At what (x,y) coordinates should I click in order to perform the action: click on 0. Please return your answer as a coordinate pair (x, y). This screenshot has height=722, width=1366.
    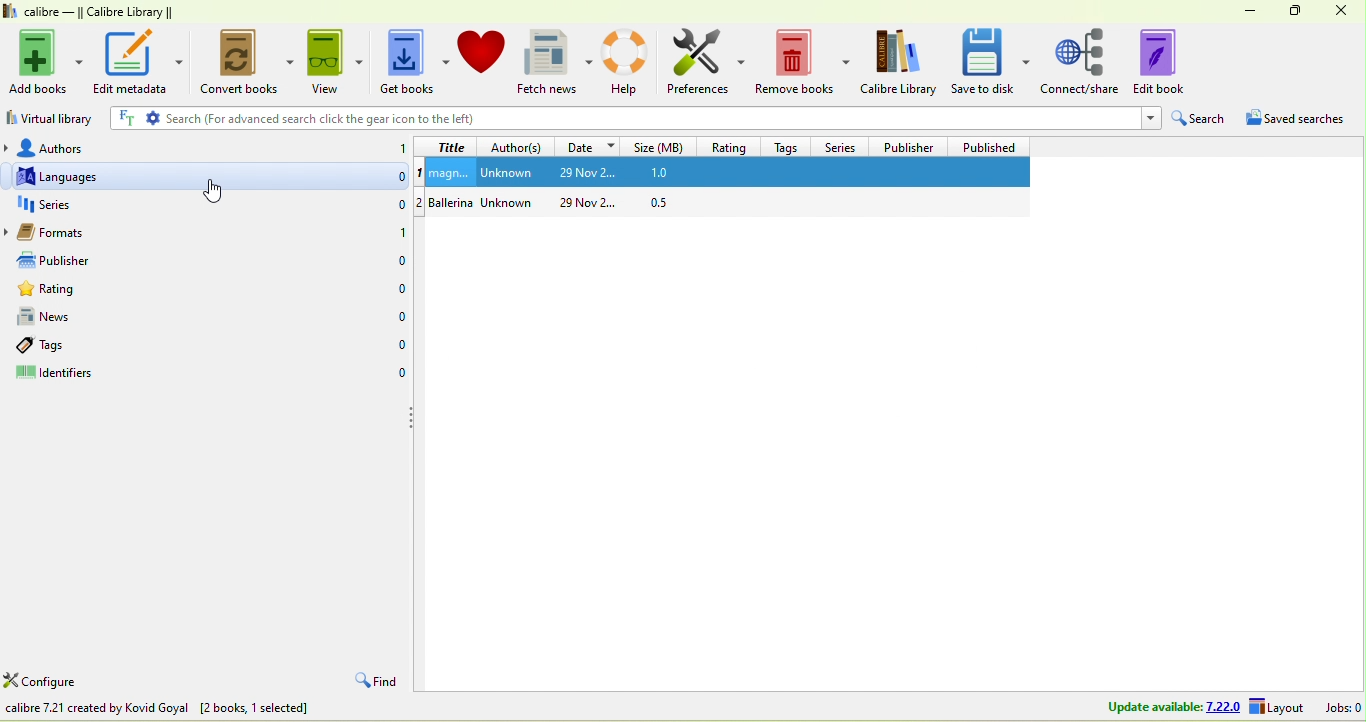
    Looking at the image, I should click on (400, 264).